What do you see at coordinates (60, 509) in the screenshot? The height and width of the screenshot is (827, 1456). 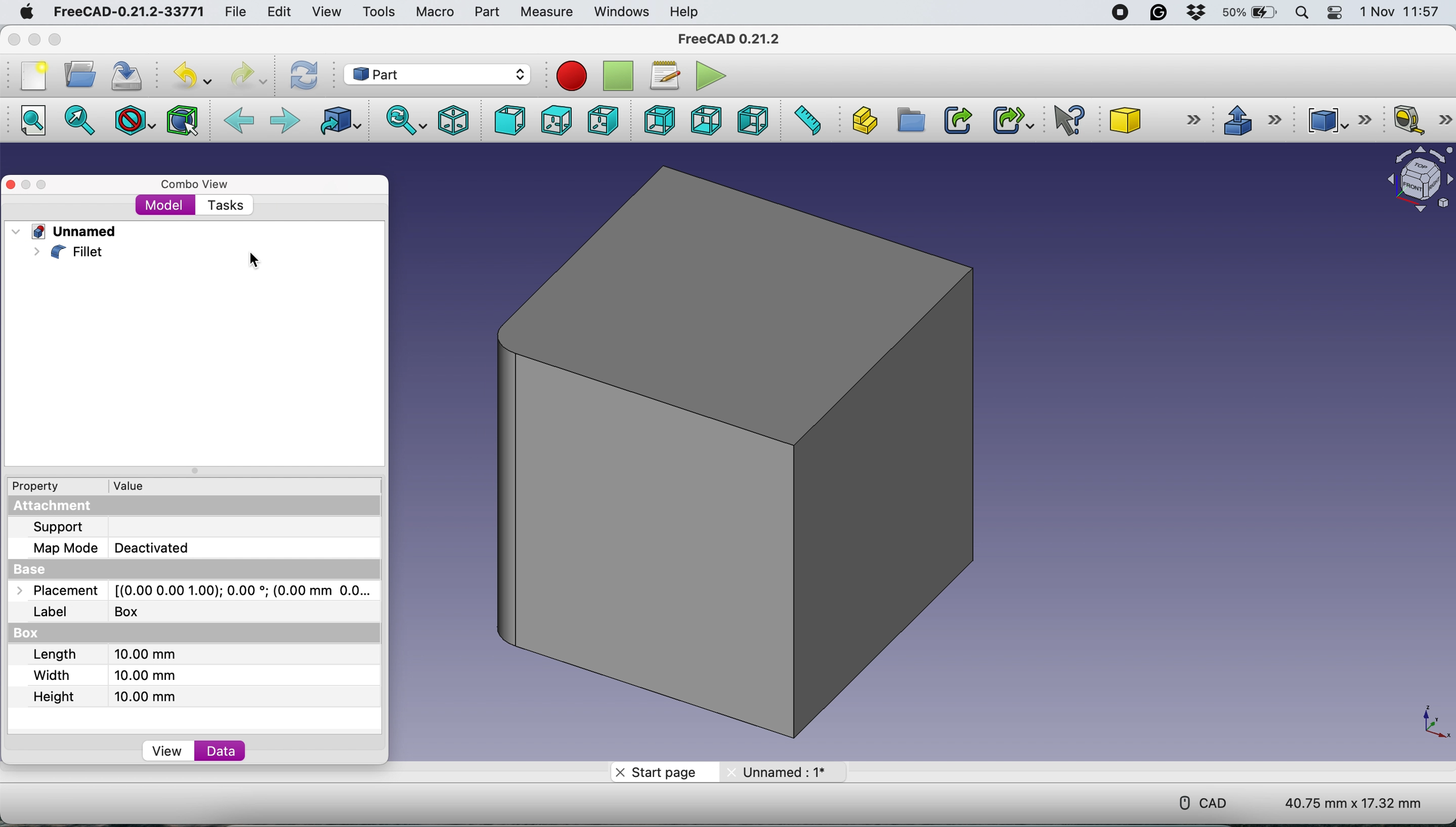 I see `attachment` at bounding box center [60, 509].